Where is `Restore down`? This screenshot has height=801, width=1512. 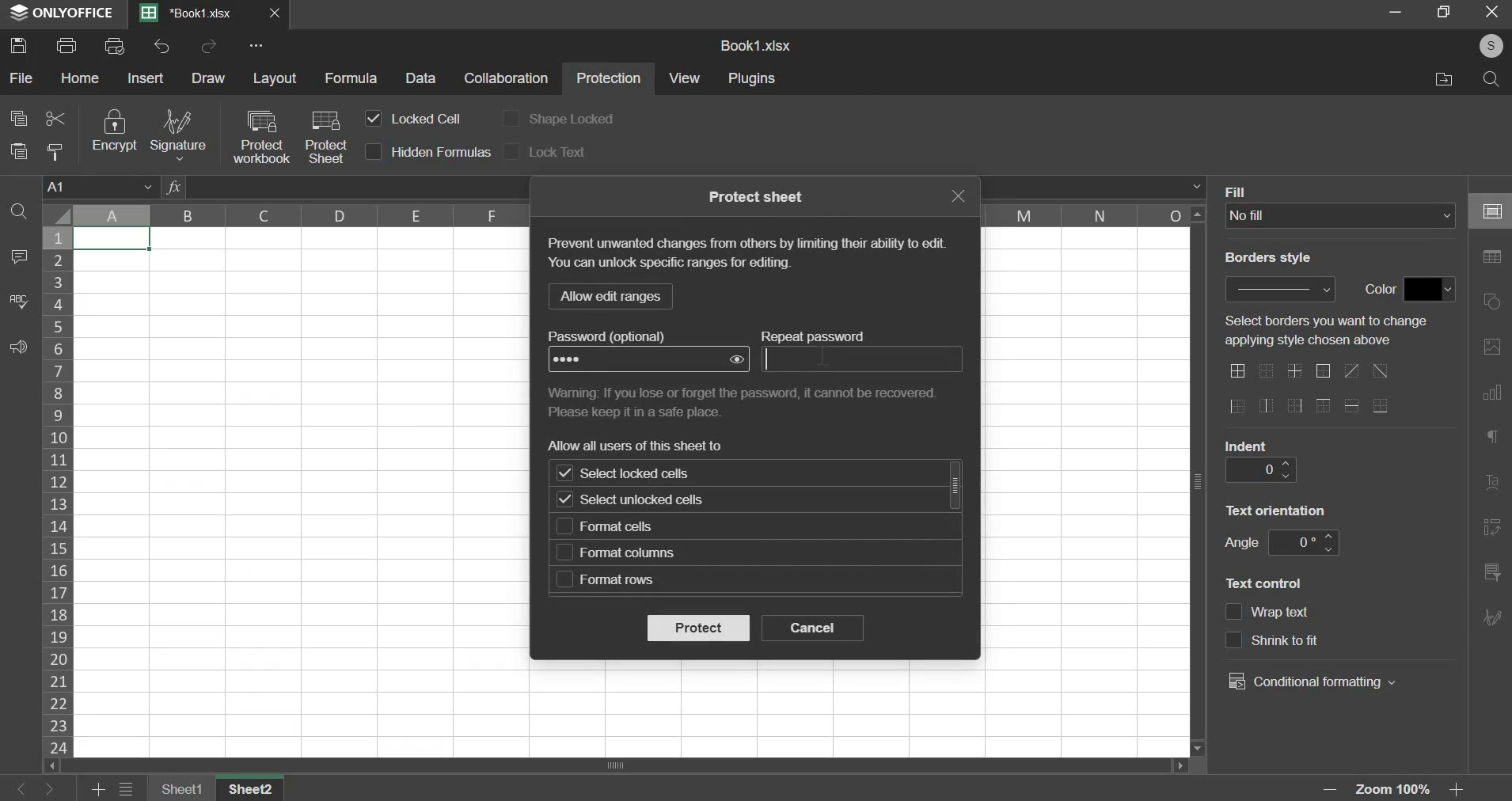 Restore down is located at coordinates (1396, 11).